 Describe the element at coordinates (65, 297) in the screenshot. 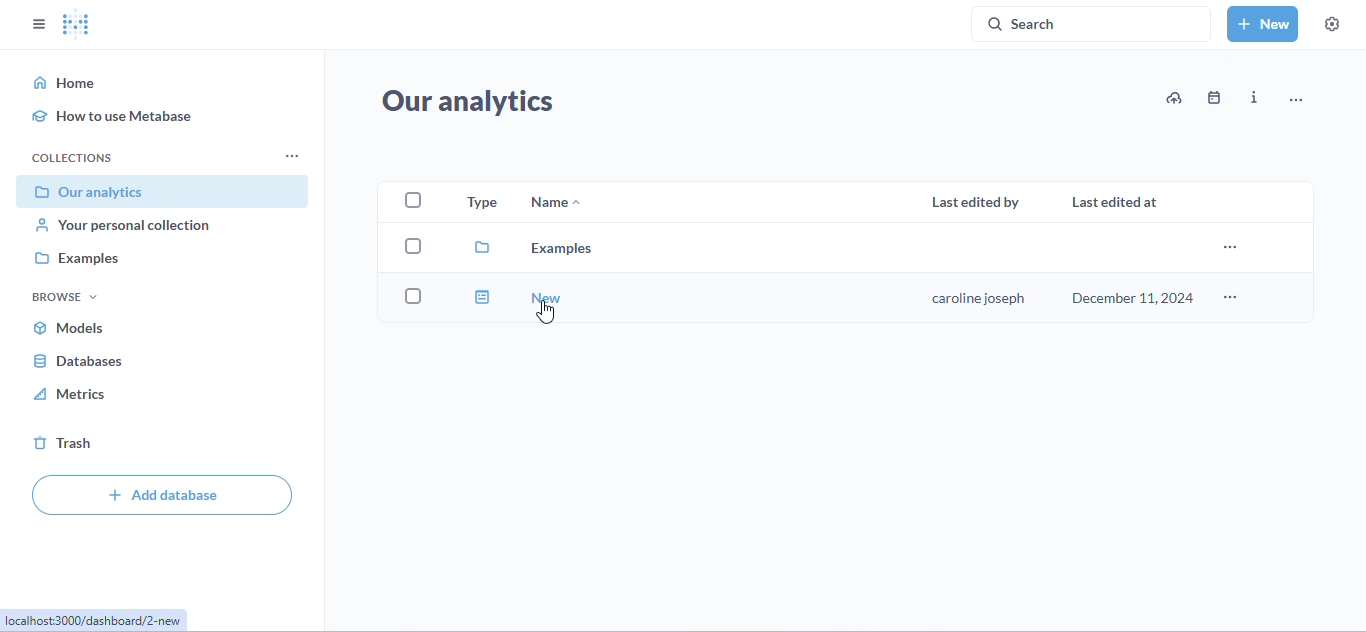

I see `browse` at that location.